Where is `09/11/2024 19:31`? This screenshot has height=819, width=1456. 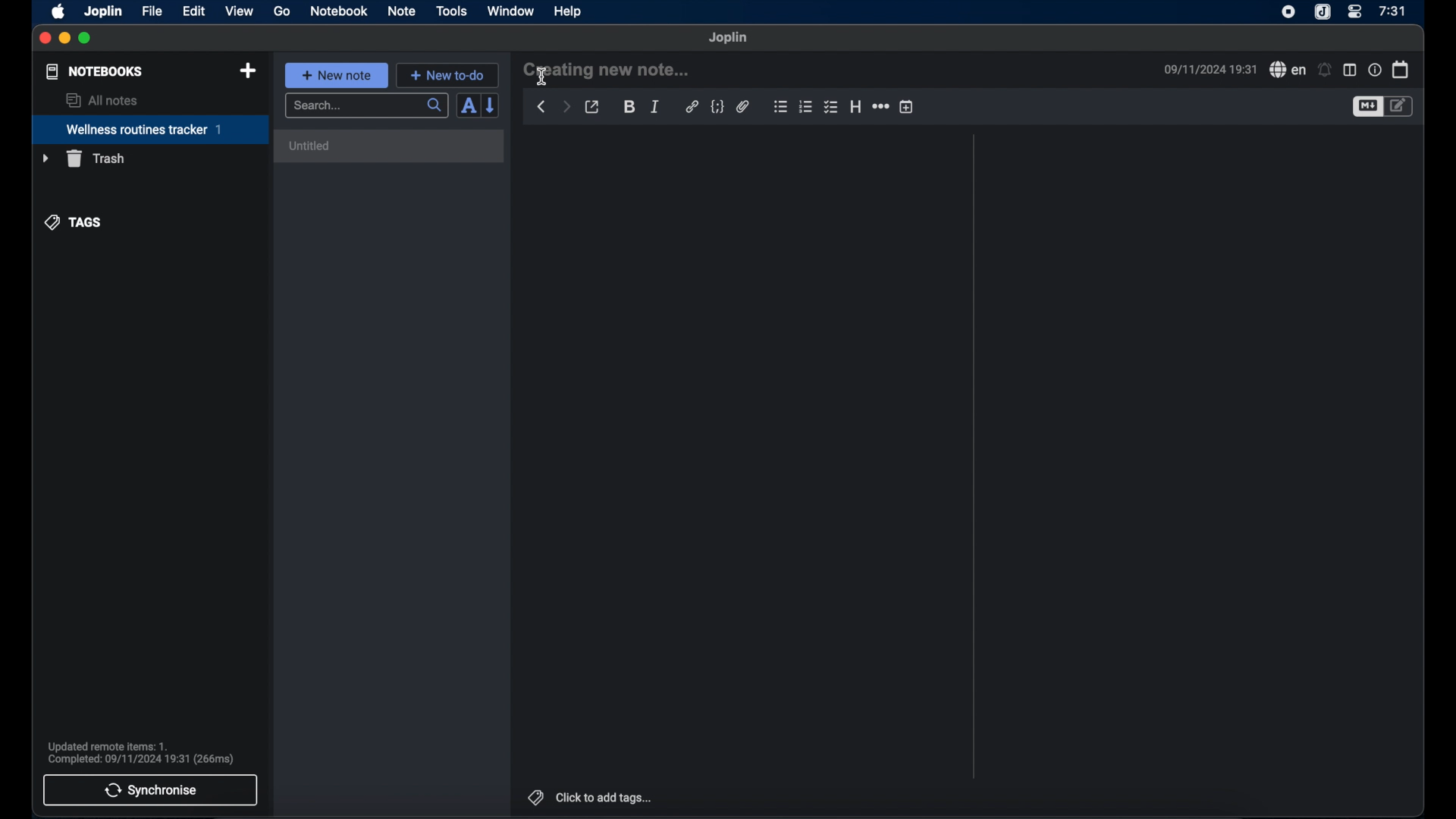
09/11/2024 19:31 is located at coordinates (1208, 69).